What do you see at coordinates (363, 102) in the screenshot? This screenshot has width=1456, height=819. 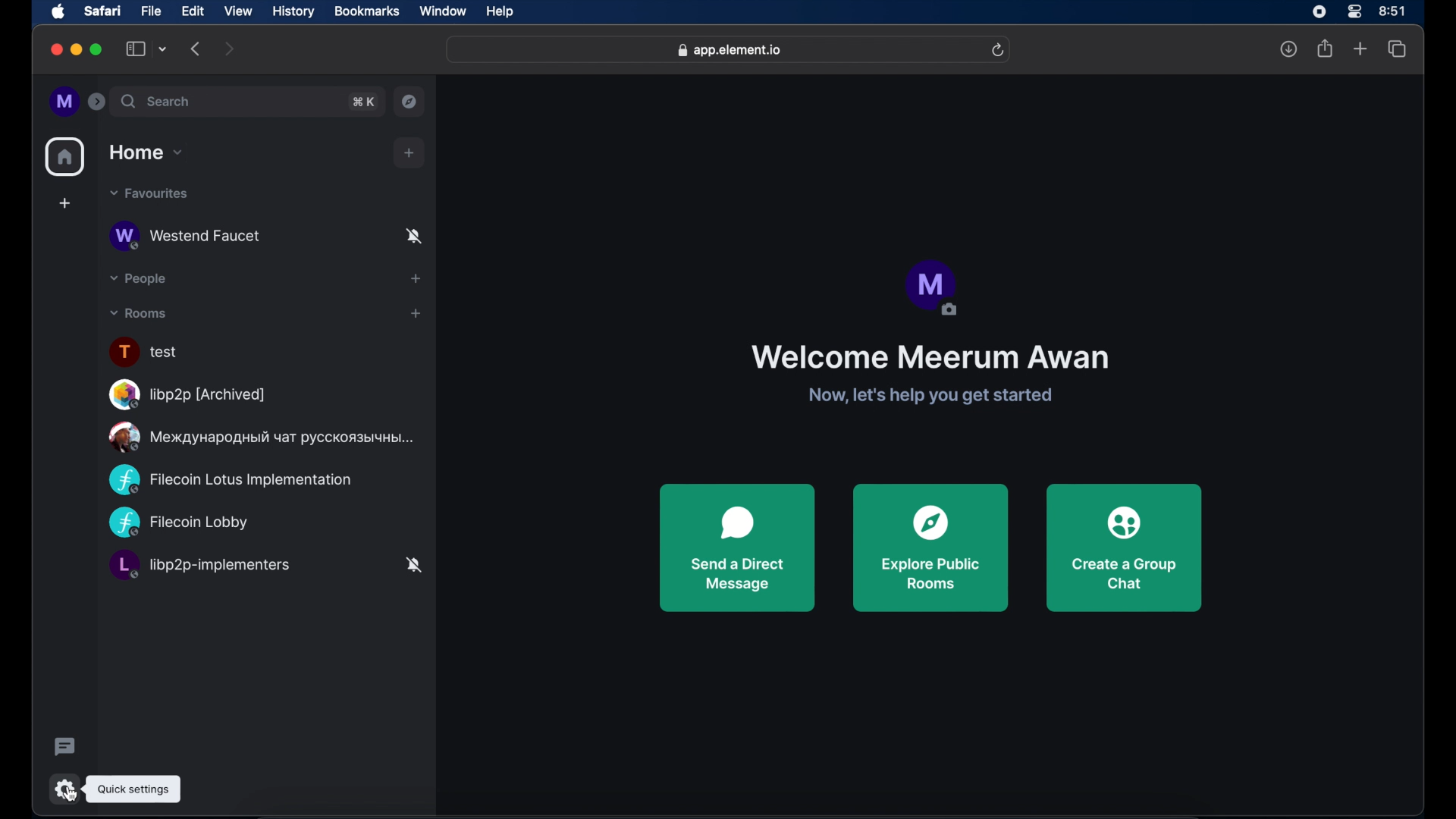 I see `search shortcut` at bounding box center [363, 102].